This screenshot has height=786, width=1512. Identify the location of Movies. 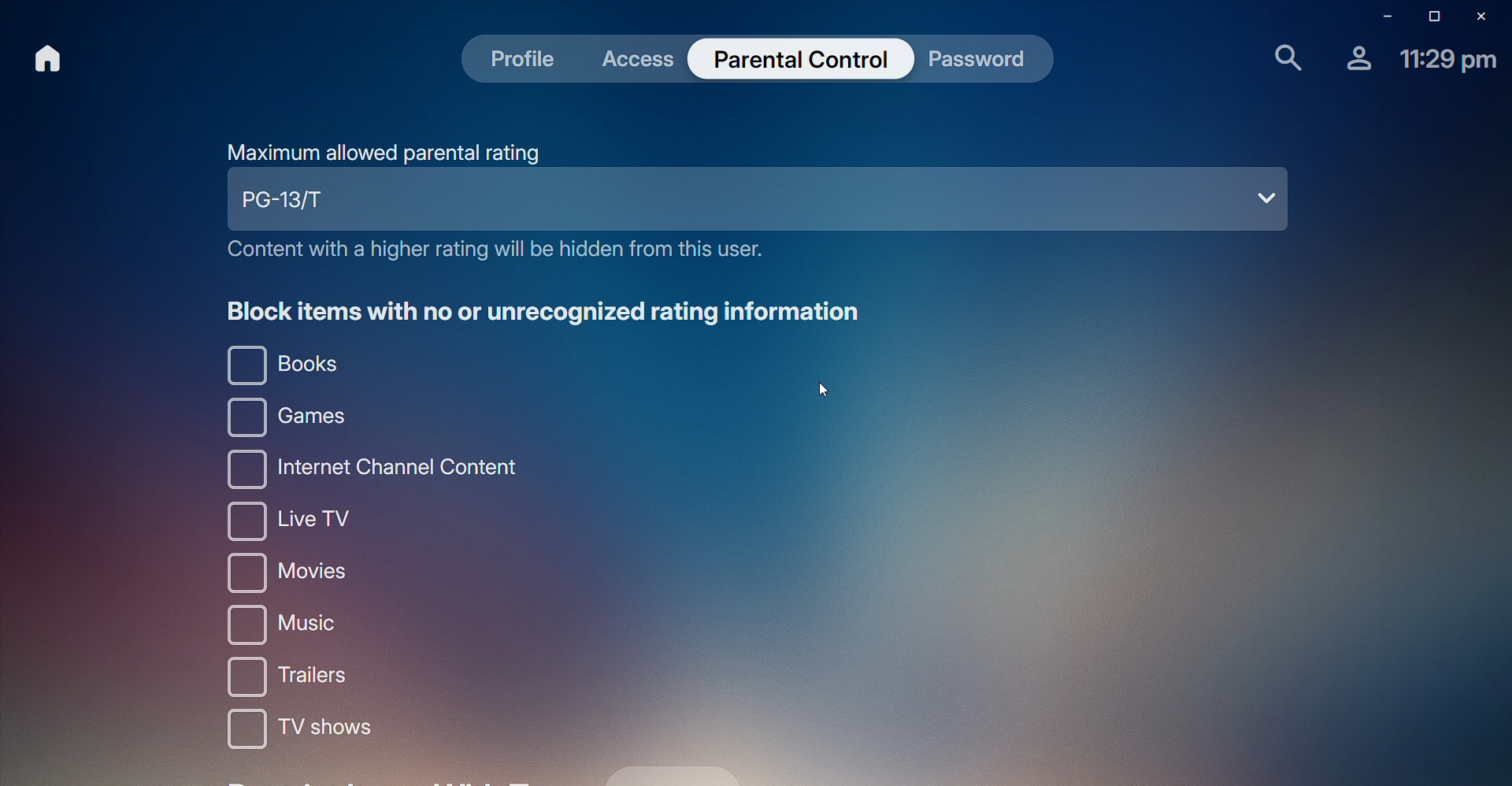
(295, 574).